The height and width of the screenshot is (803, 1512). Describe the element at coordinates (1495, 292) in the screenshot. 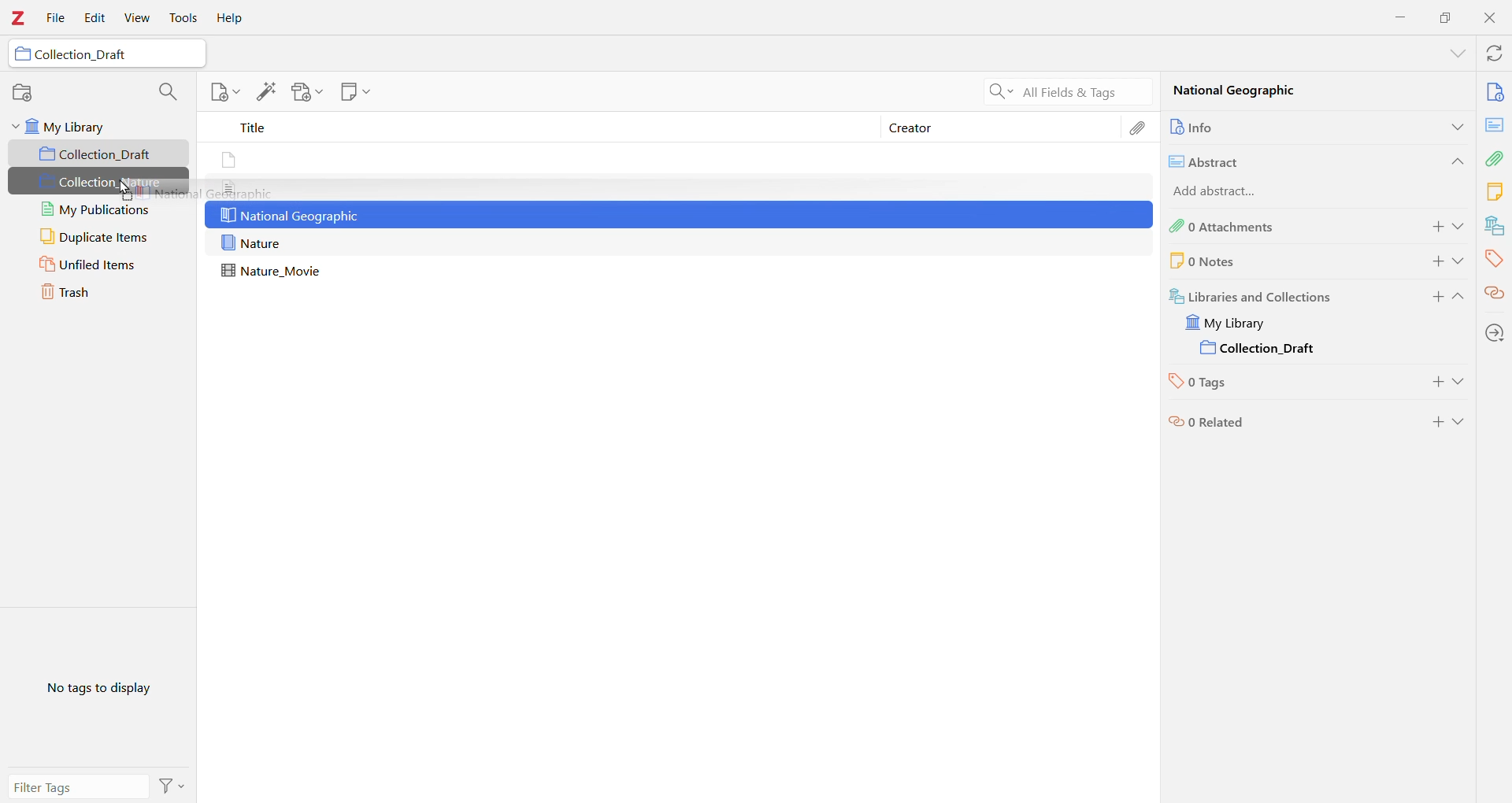

I see `Related` at that location.